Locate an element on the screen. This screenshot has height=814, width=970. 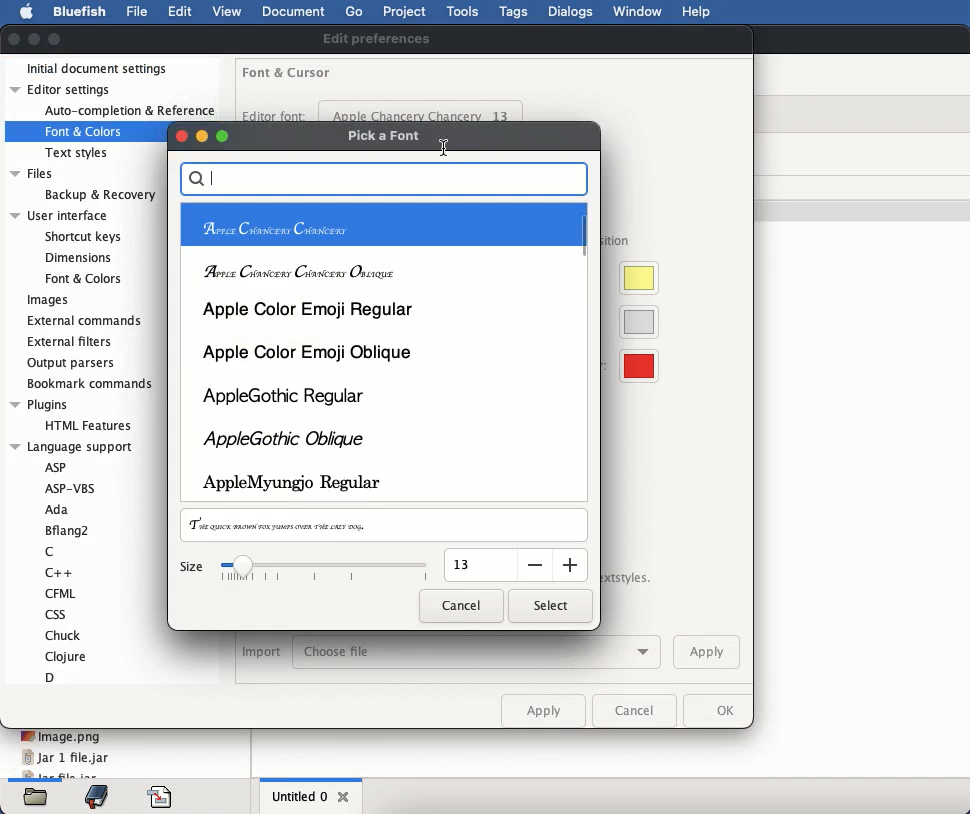
language support is located at coordinates (84, 563).